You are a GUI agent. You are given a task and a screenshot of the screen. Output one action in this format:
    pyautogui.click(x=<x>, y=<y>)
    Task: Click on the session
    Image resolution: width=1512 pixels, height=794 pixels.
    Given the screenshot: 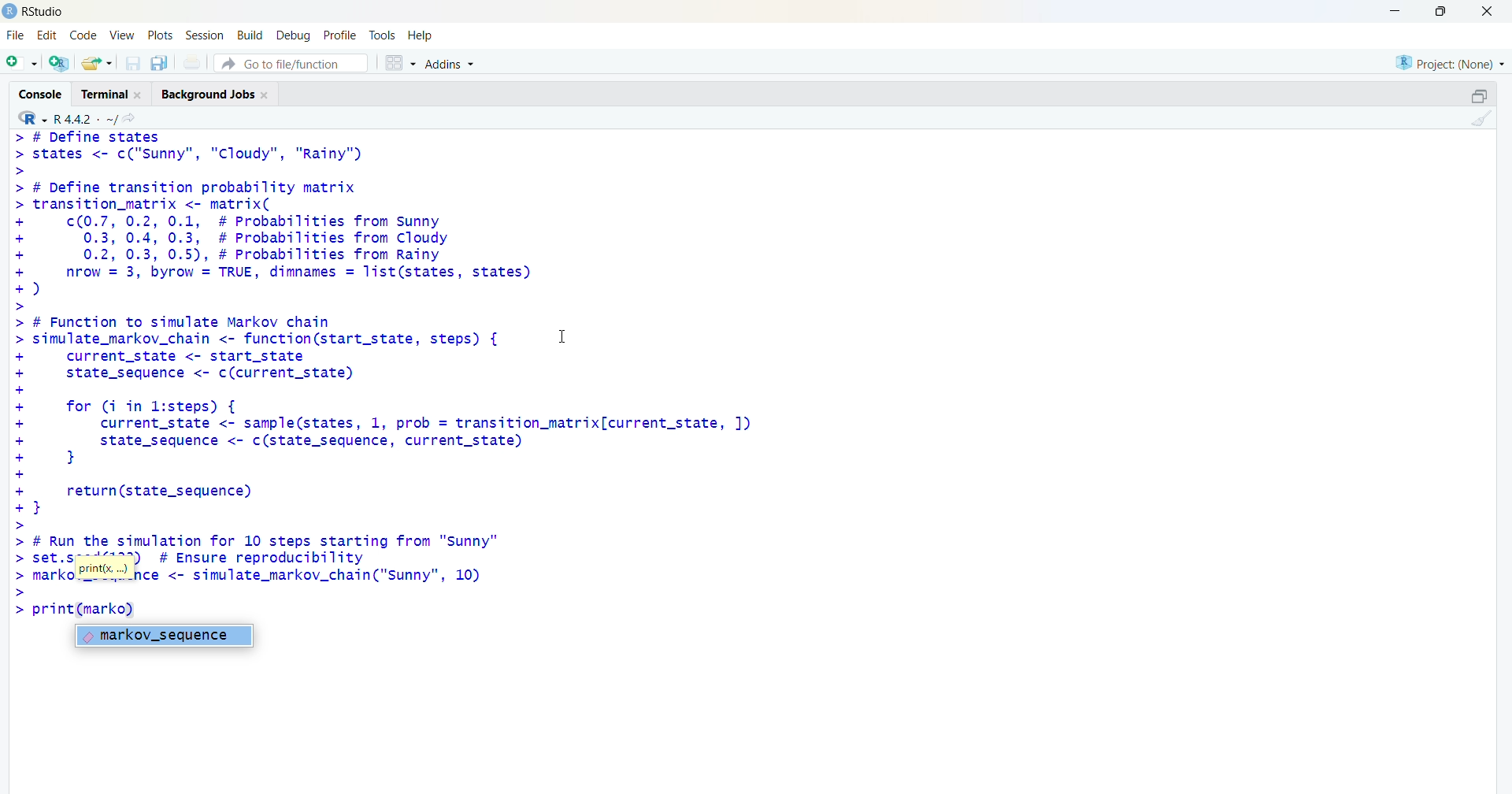 What is the action you would take?
    pyautogui.click(x=206, y=35)
    